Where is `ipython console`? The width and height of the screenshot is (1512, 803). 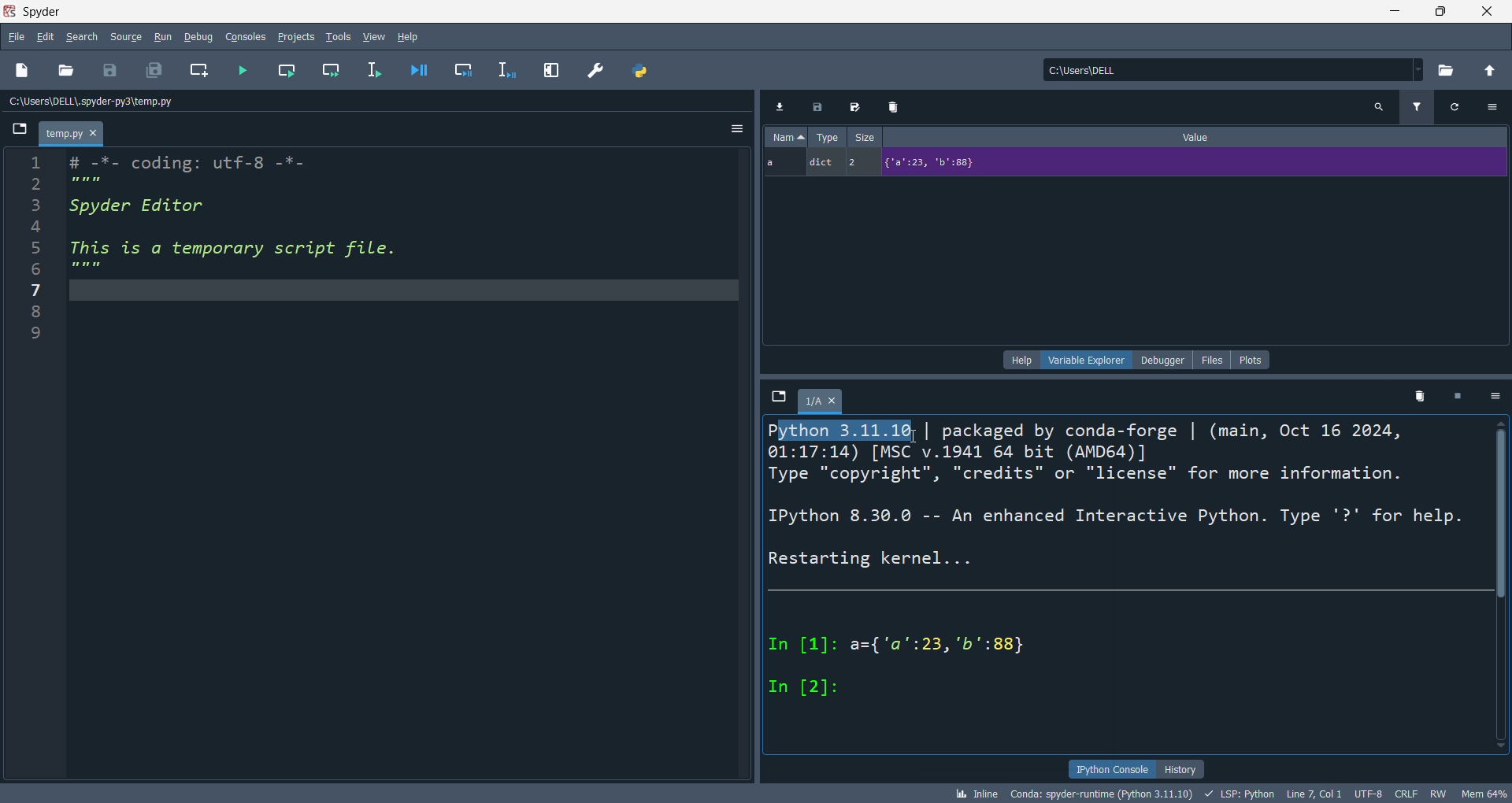
ipython console is located at coordinates (1109, 768).